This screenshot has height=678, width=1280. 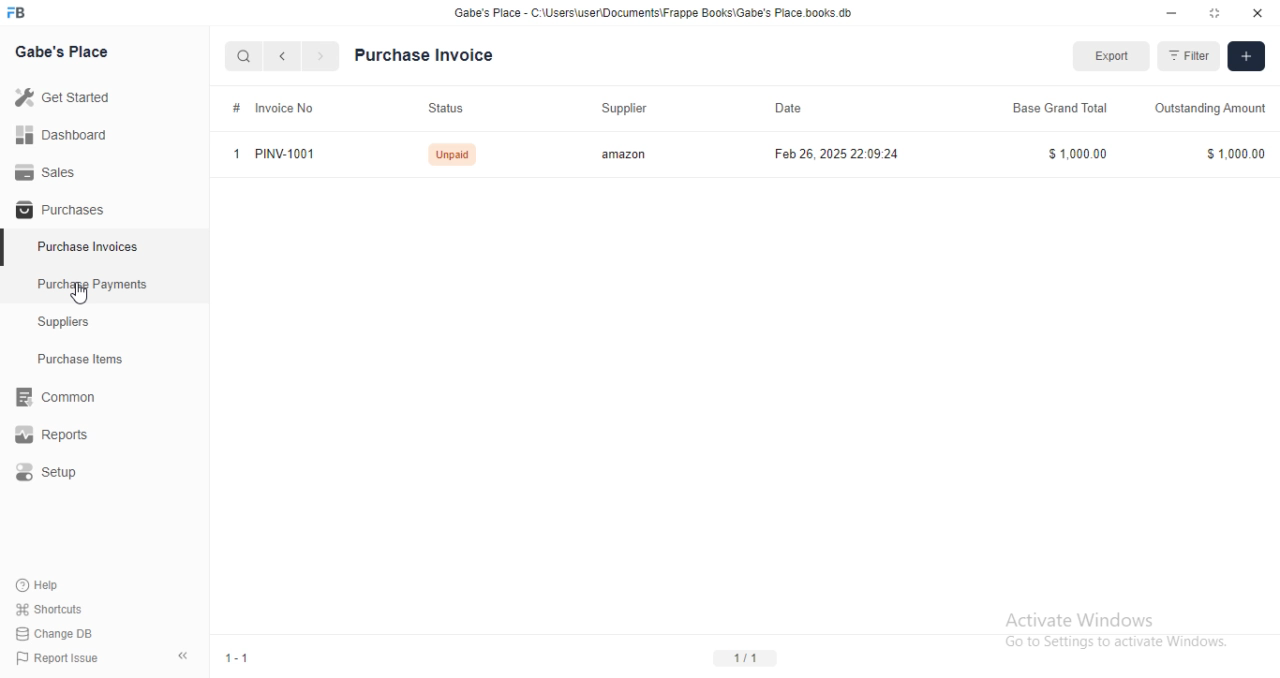 What do you see at coordinates (55, 400) in the screenshot?
I see `Rit
Common` at bounding box center [55, 400].